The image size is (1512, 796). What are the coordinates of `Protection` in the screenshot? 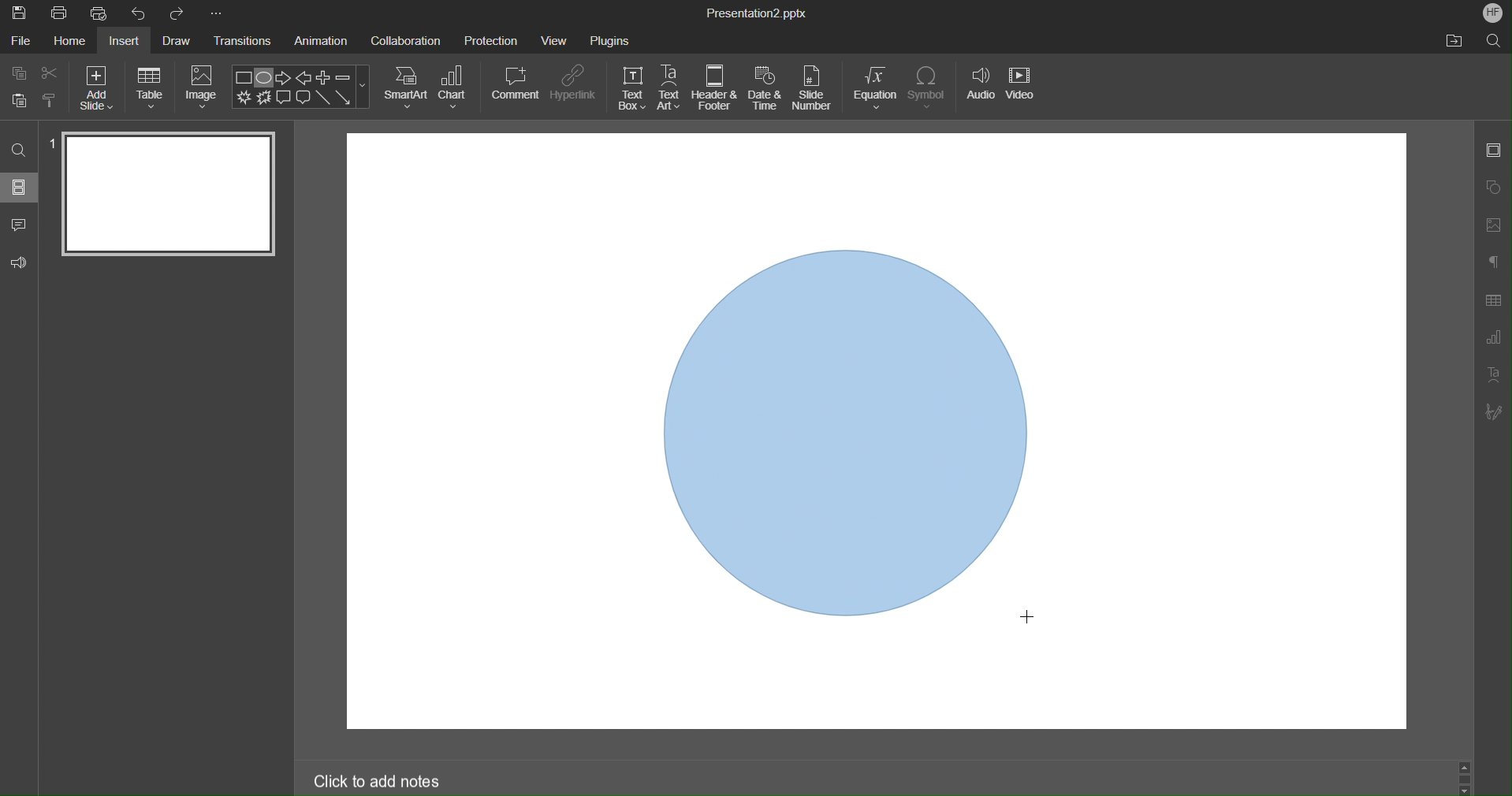 It's located at (491, 39).